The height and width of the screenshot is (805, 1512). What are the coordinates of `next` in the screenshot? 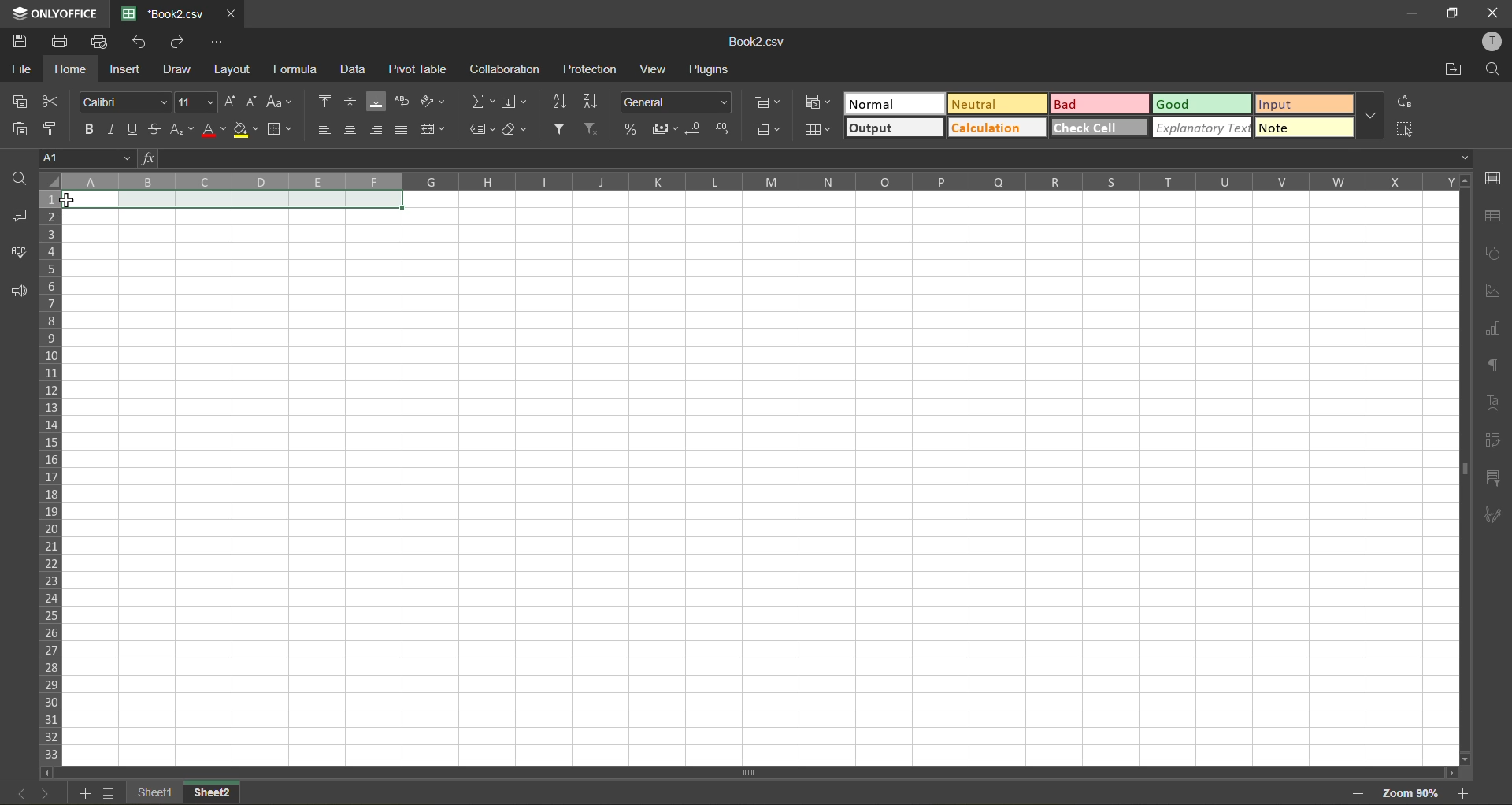 It's located at (43, 793).